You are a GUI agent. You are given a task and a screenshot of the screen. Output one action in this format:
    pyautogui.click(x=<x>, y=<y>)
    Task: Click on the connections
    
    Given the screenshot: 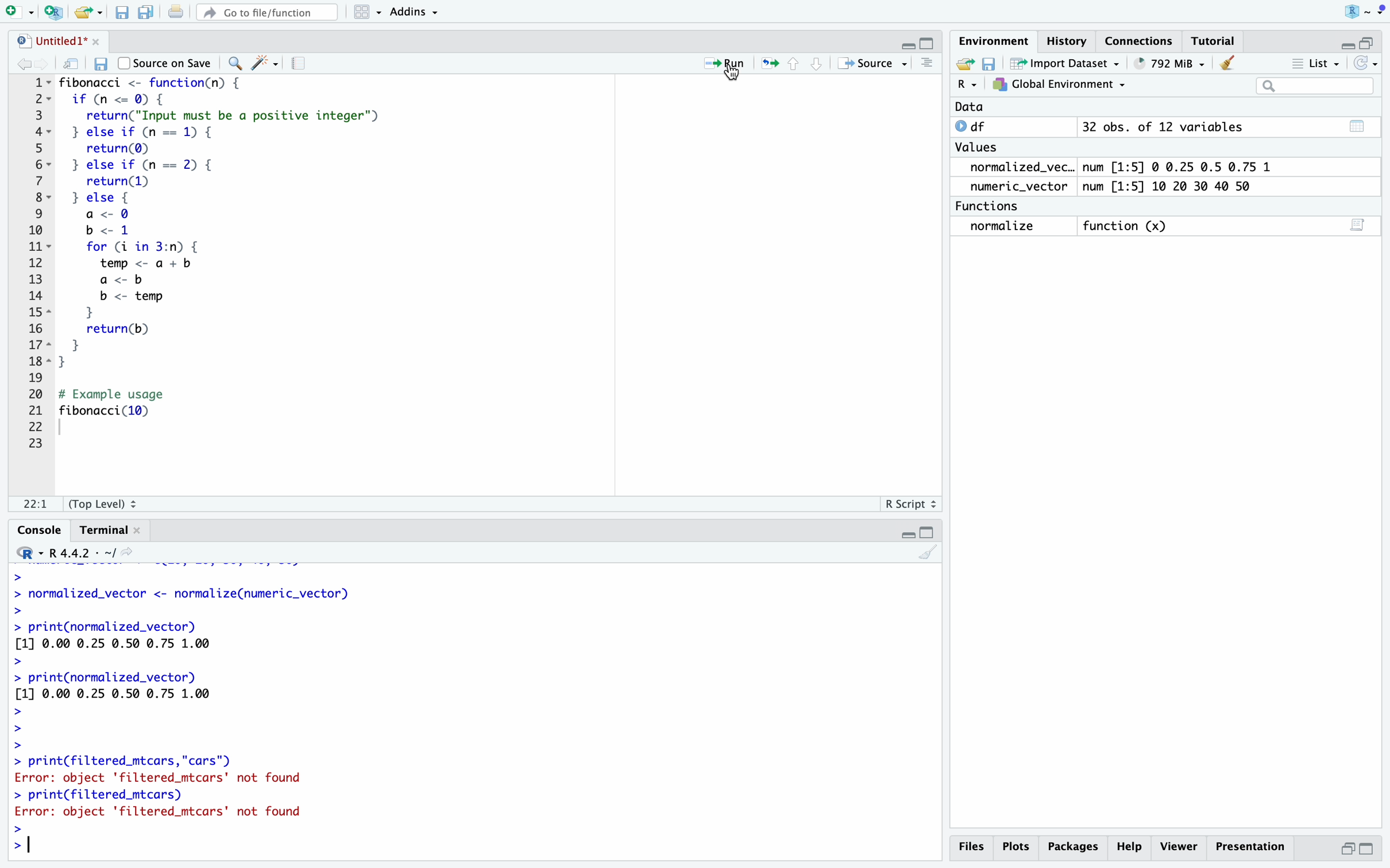 What is the action you would take?
    pyautogui.click(x=1140, y=37)
    